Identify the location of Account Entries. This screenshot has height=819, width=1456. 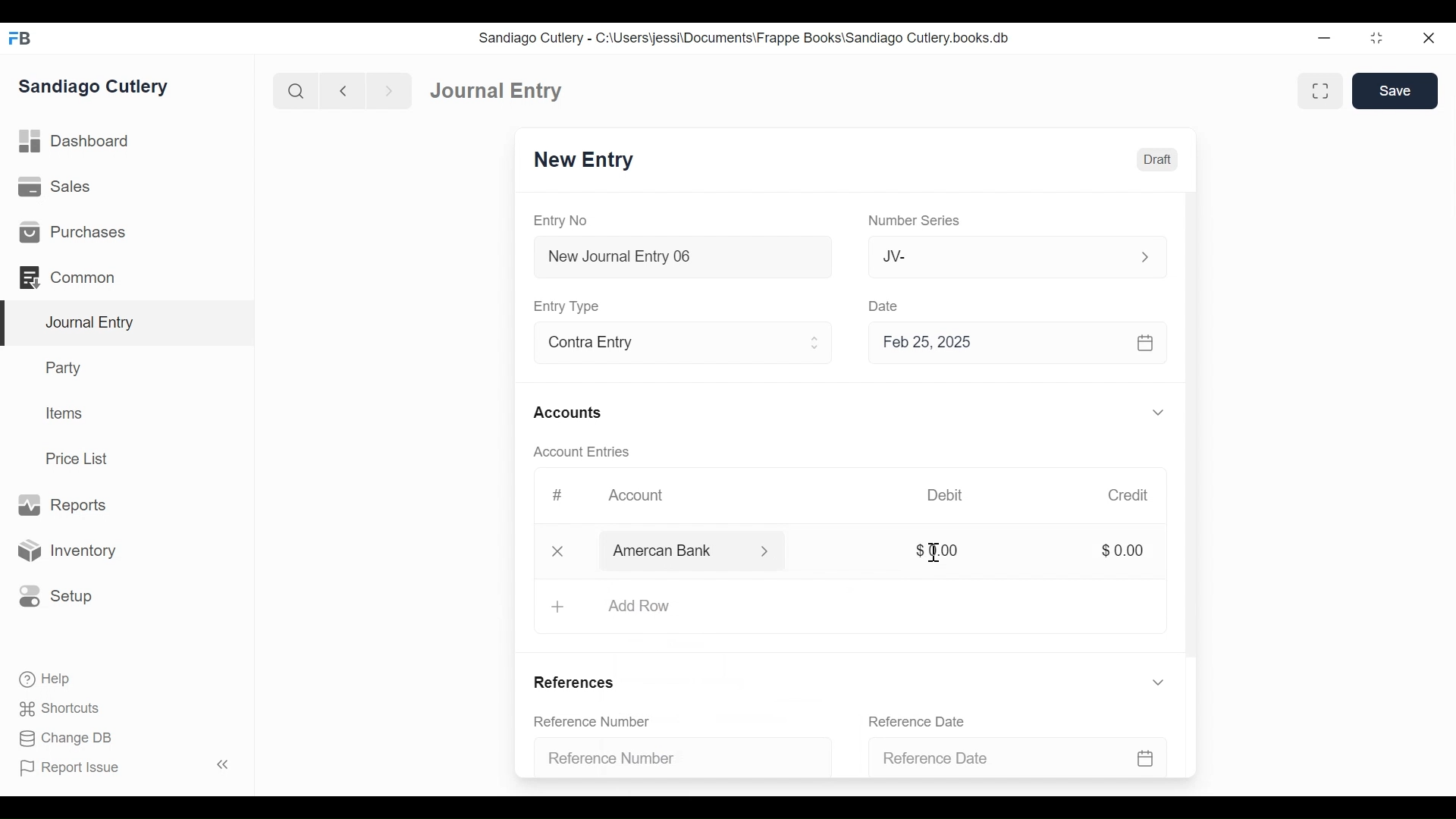
(585, 452).